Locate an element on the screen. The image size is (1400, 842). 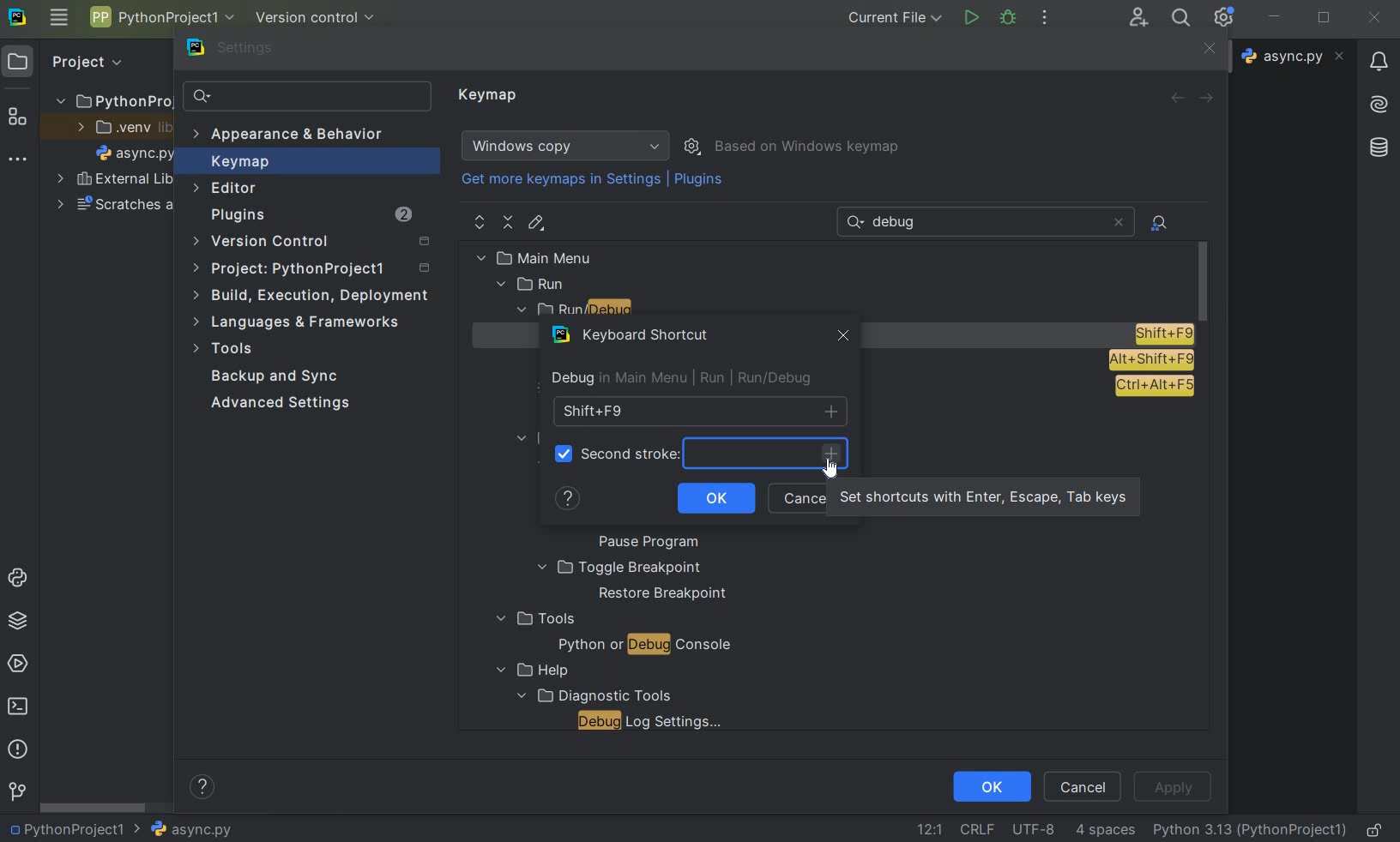
toggle breakpoint is located at coordinates (619, 568).